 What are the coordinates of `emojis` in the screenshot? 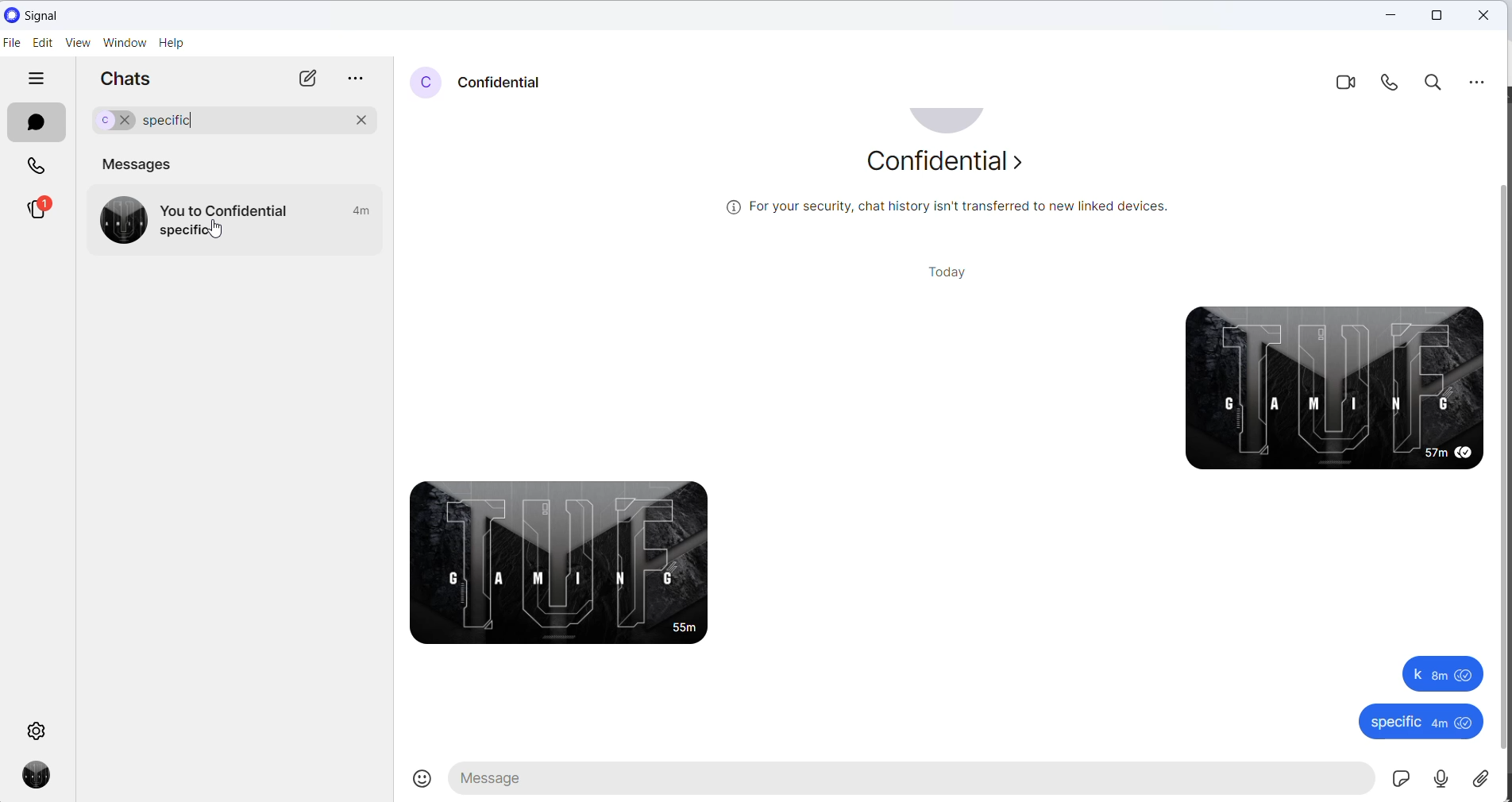 It's located at (424, 781).